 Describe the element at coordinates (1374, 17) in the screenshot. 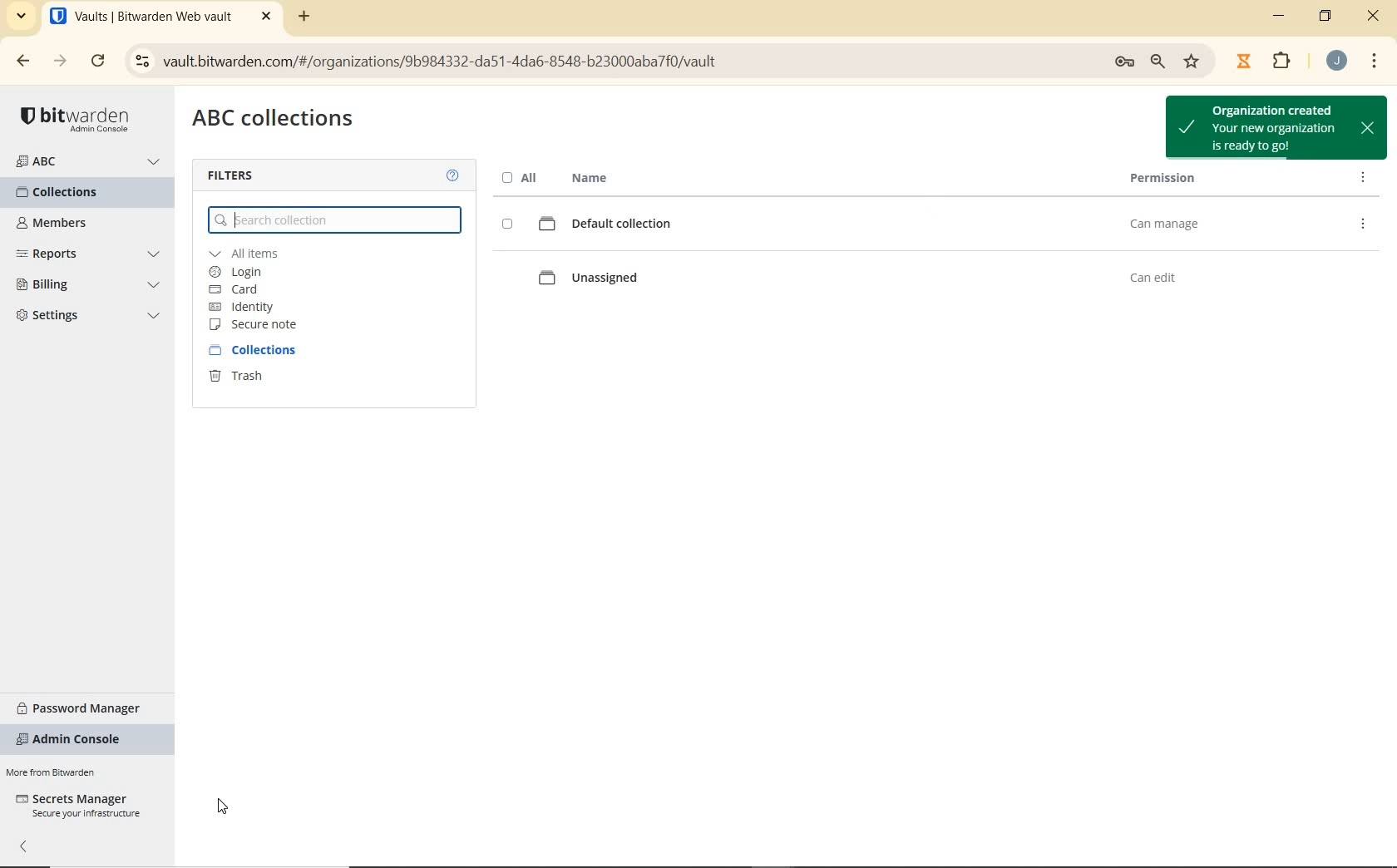

I see `close` at that location.